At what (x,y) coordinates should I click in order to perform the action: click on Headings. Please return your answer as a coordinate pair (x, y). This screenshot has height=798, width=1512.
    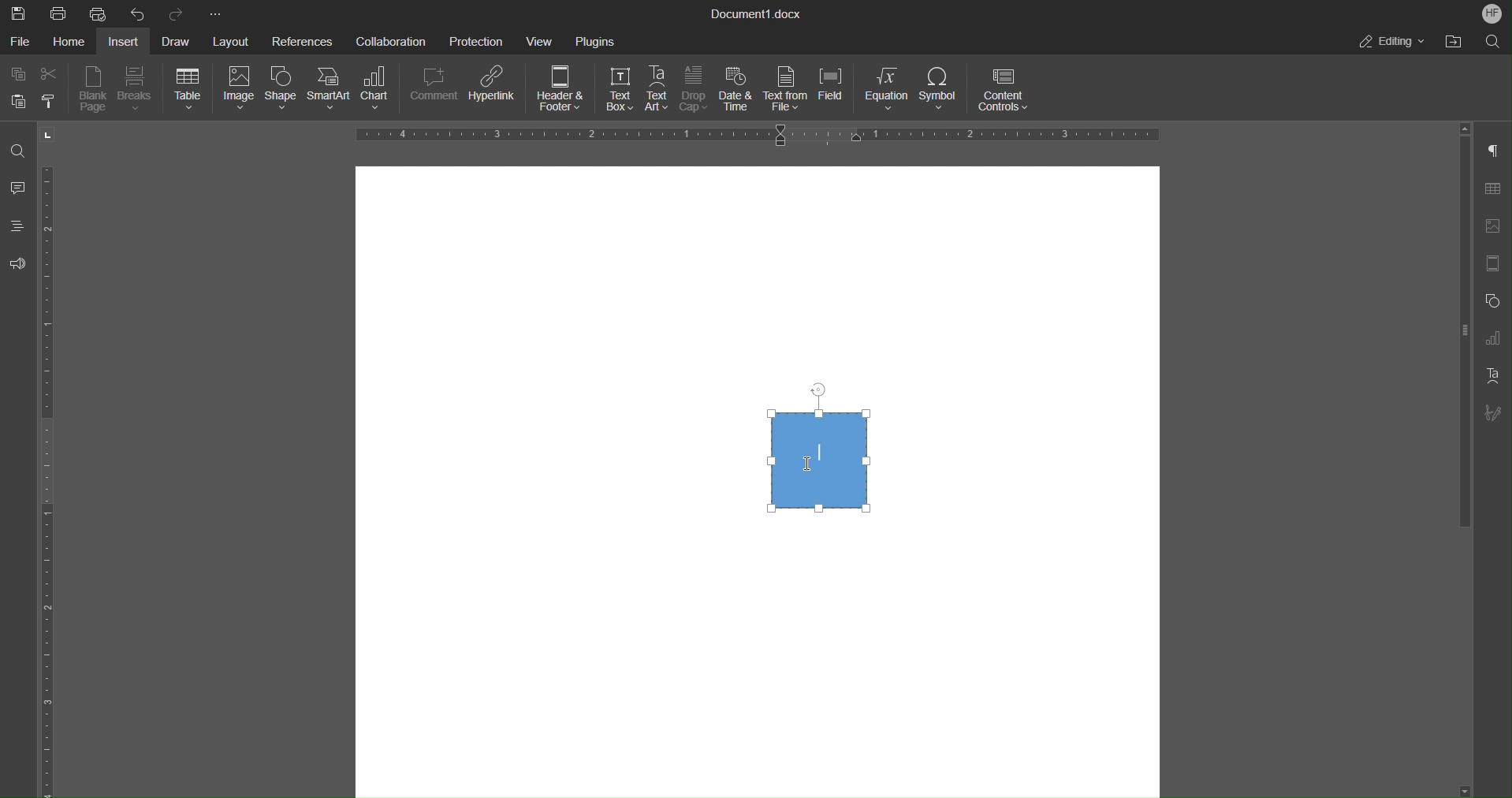
    Looking at the image, I should click on (20, 229).